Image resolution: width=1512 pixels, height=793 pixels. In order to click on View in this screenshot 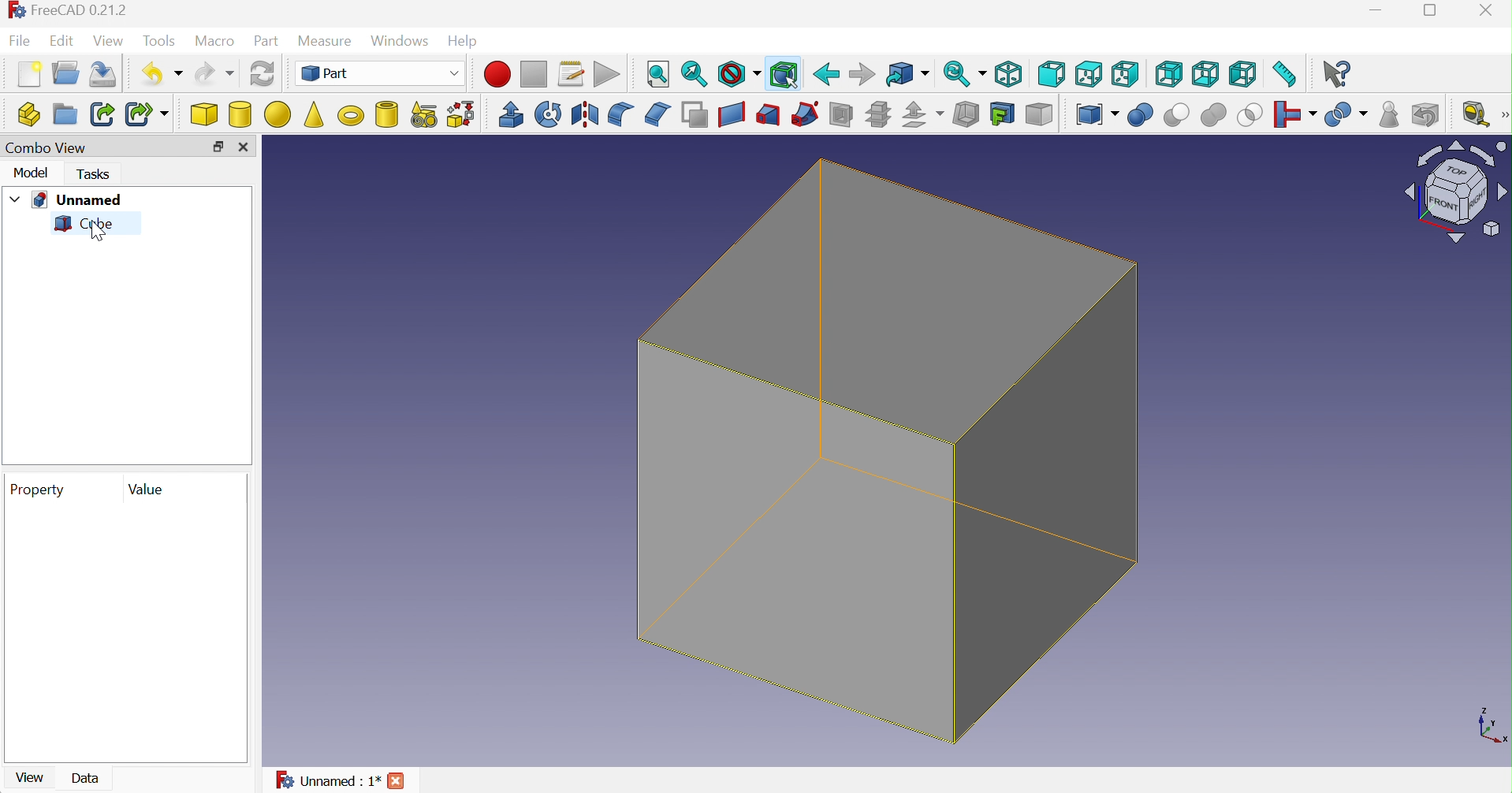, I will do `click(28, 780)`.